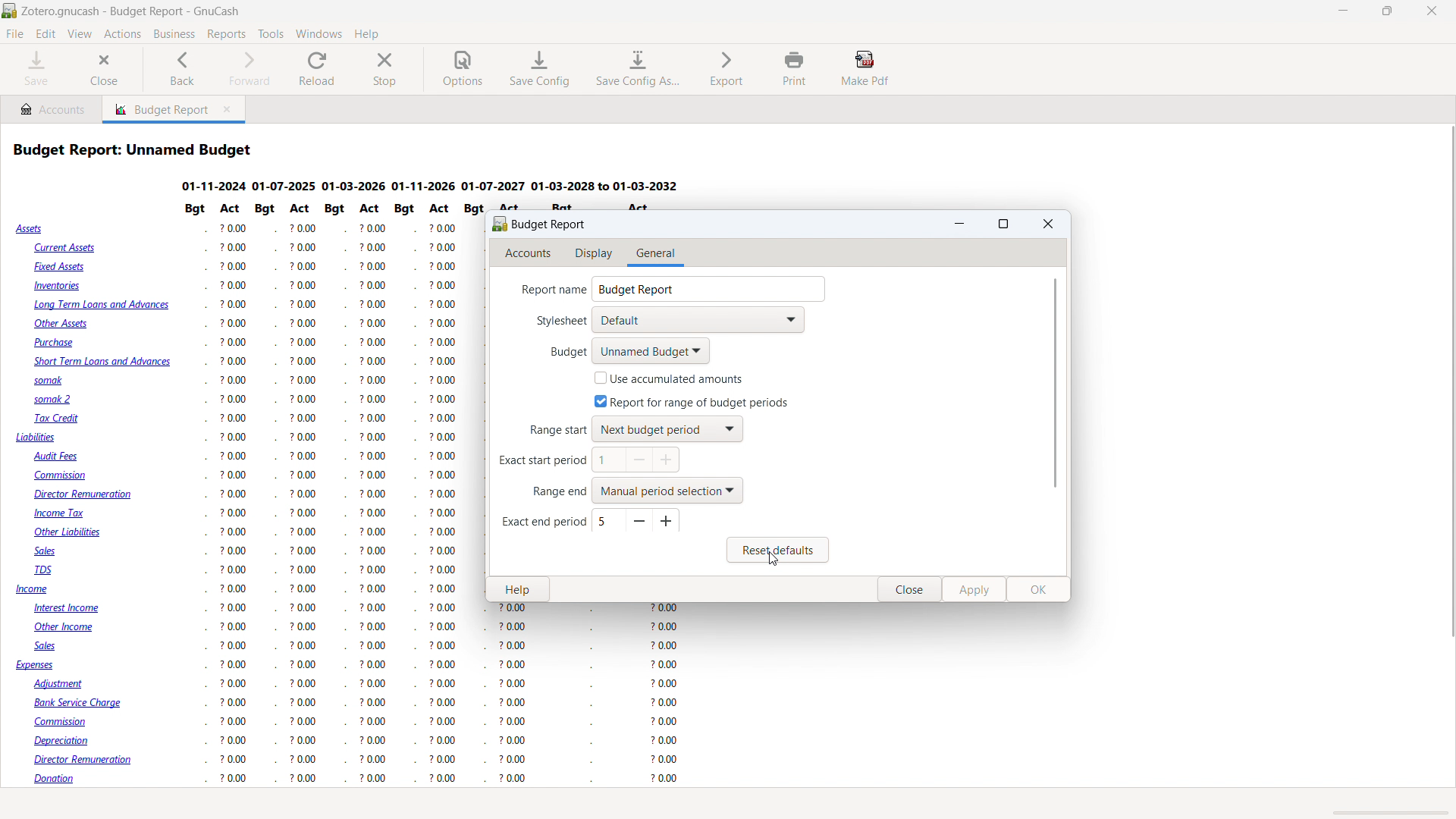  What do you see at coordinates (15, 34) in the screenshot?
I see `file` at bounding box center [15, 34].